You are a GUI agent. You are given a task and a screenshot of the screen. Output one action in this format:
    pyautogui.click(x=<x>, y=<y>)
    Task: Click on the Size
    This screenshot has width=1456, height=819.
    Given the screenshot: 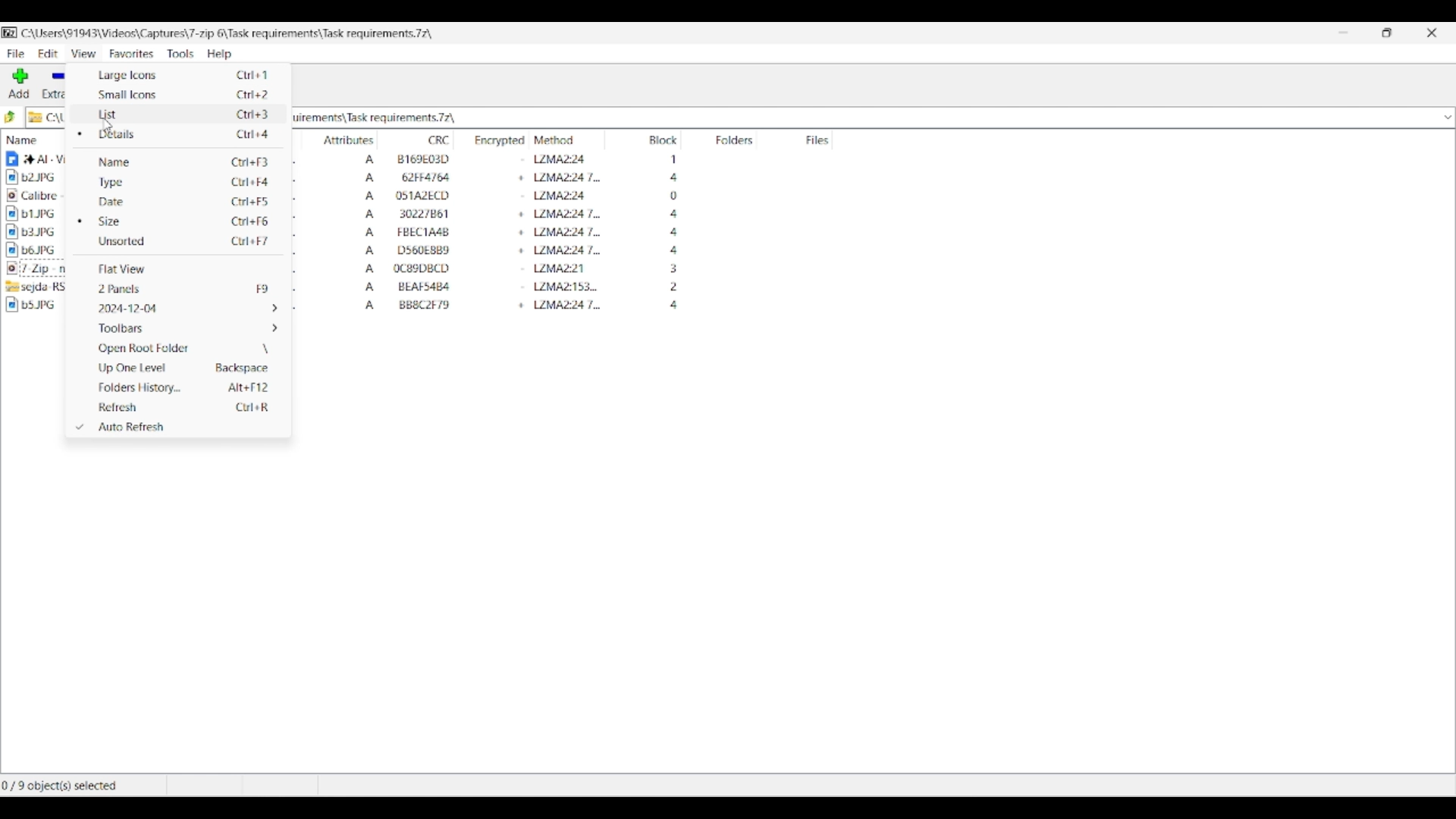 What is the action you would take?
    pyautogui.click(x=183, y=221)
    